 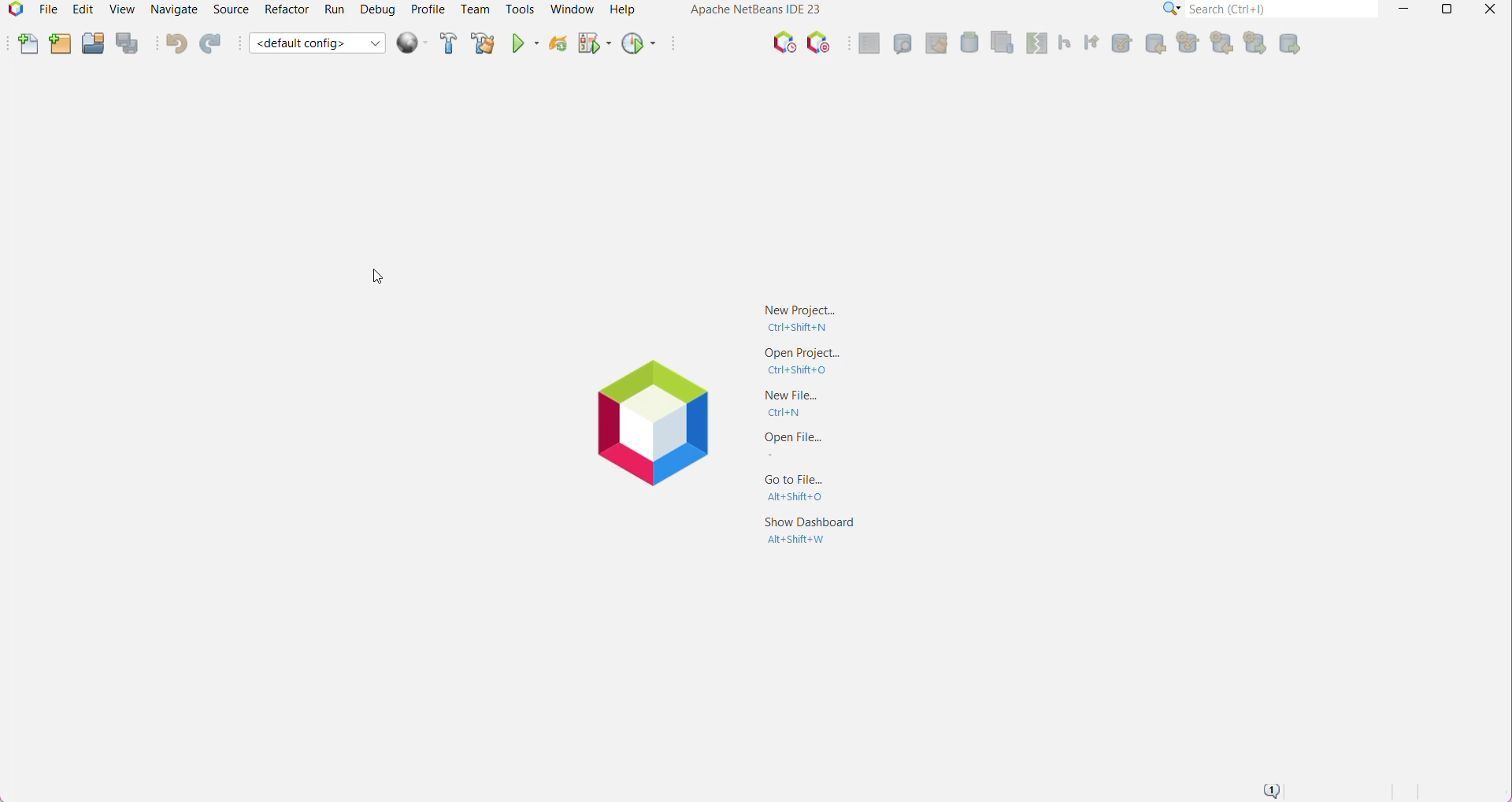 What do you see at coordinates (800, 317) in the screenshot?
I see `New Project` at bounding box center [800, 317].